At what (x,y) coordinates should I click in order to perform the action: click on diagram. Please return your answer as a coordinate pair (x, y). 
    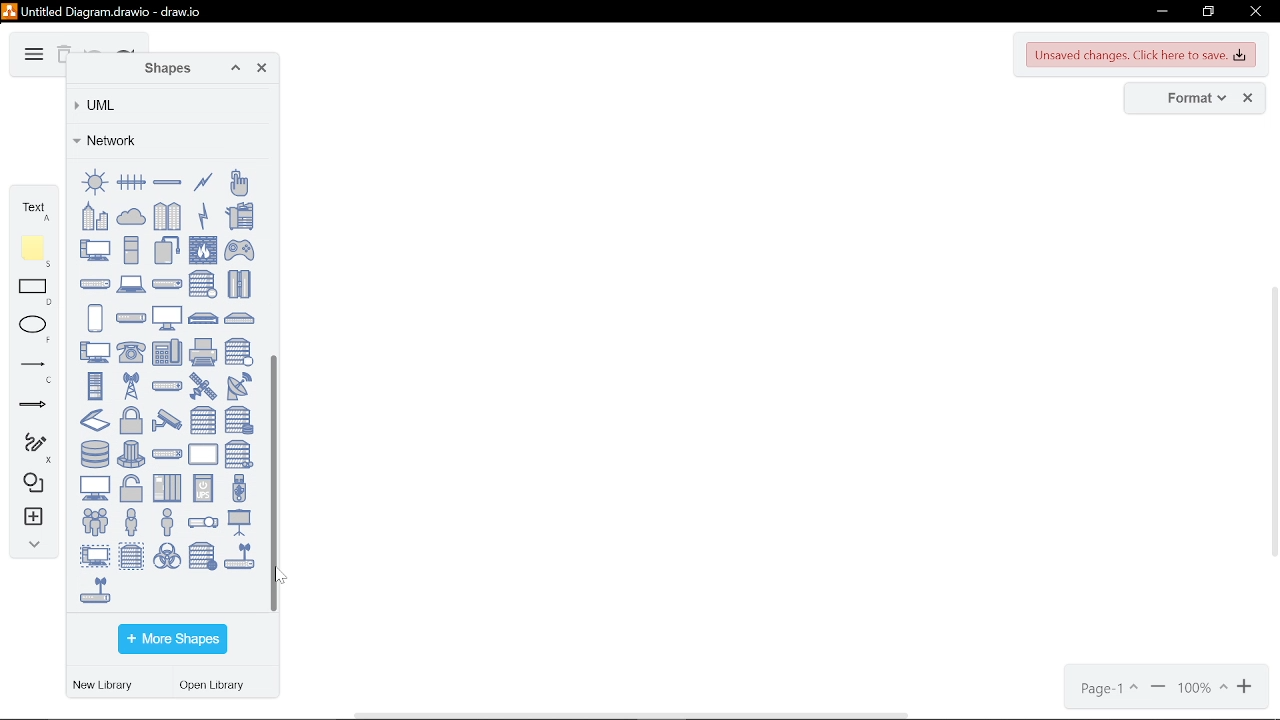
    Looking at the image, I should click on (32, 55).